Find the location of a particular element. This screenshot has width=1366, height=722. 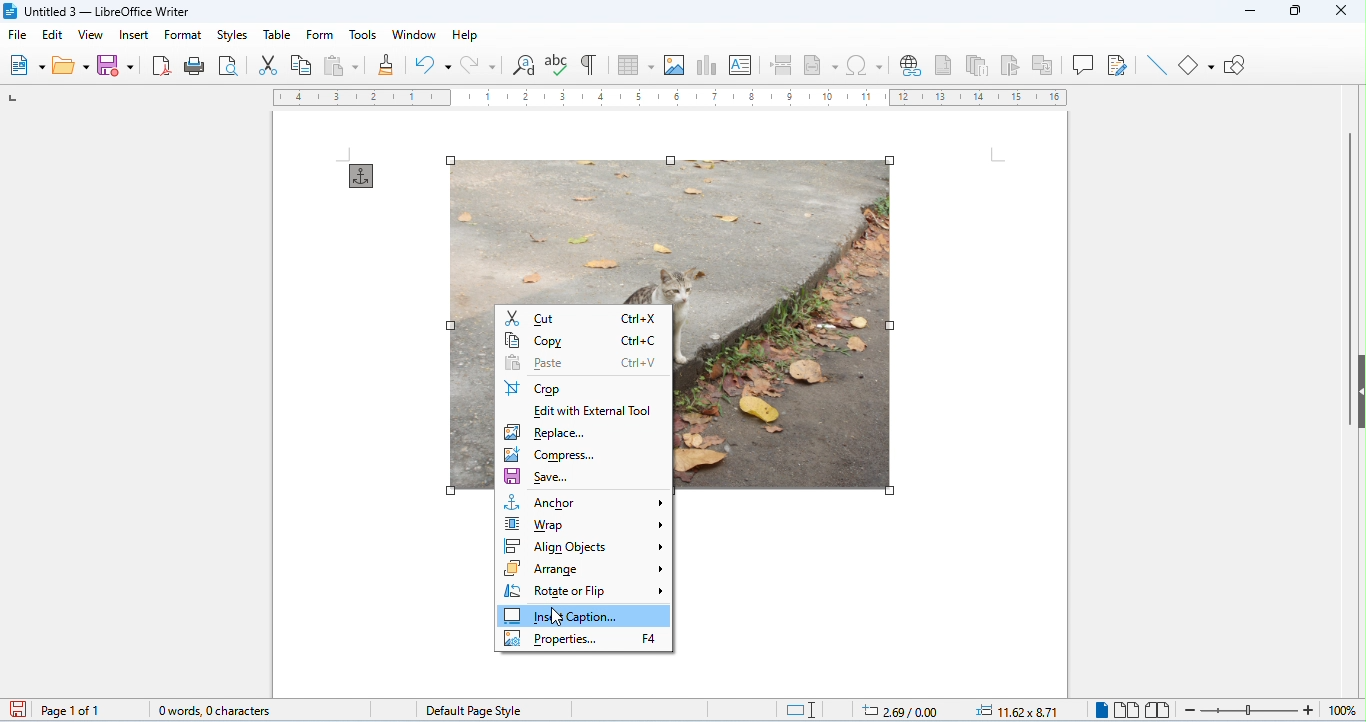

edit is located at coordinates (53, 35).